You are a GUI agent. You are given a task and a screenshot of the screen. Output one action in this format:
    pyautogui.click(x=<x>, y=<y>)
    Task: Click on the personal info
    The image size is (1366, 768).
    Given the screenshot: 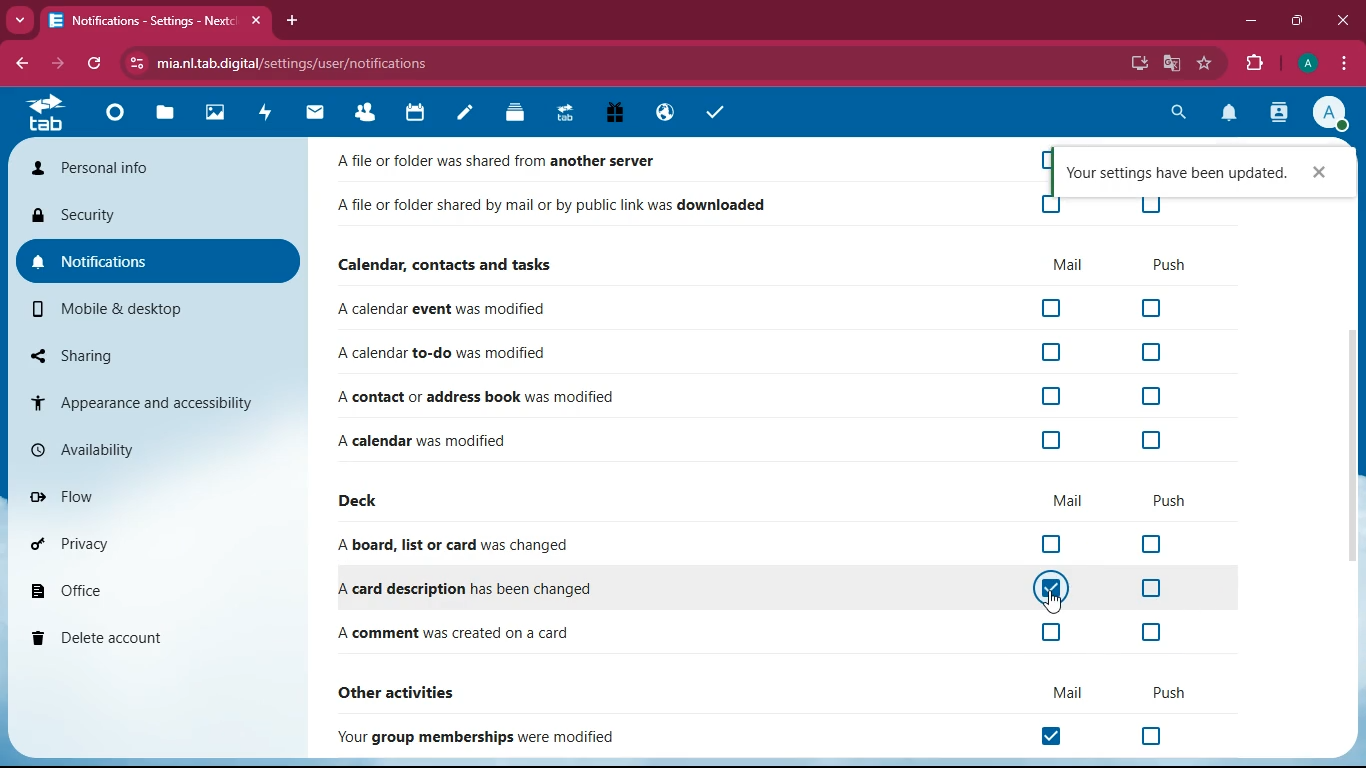 What is the action you would take?
    pyautogui.click(x=153, y=170)
    